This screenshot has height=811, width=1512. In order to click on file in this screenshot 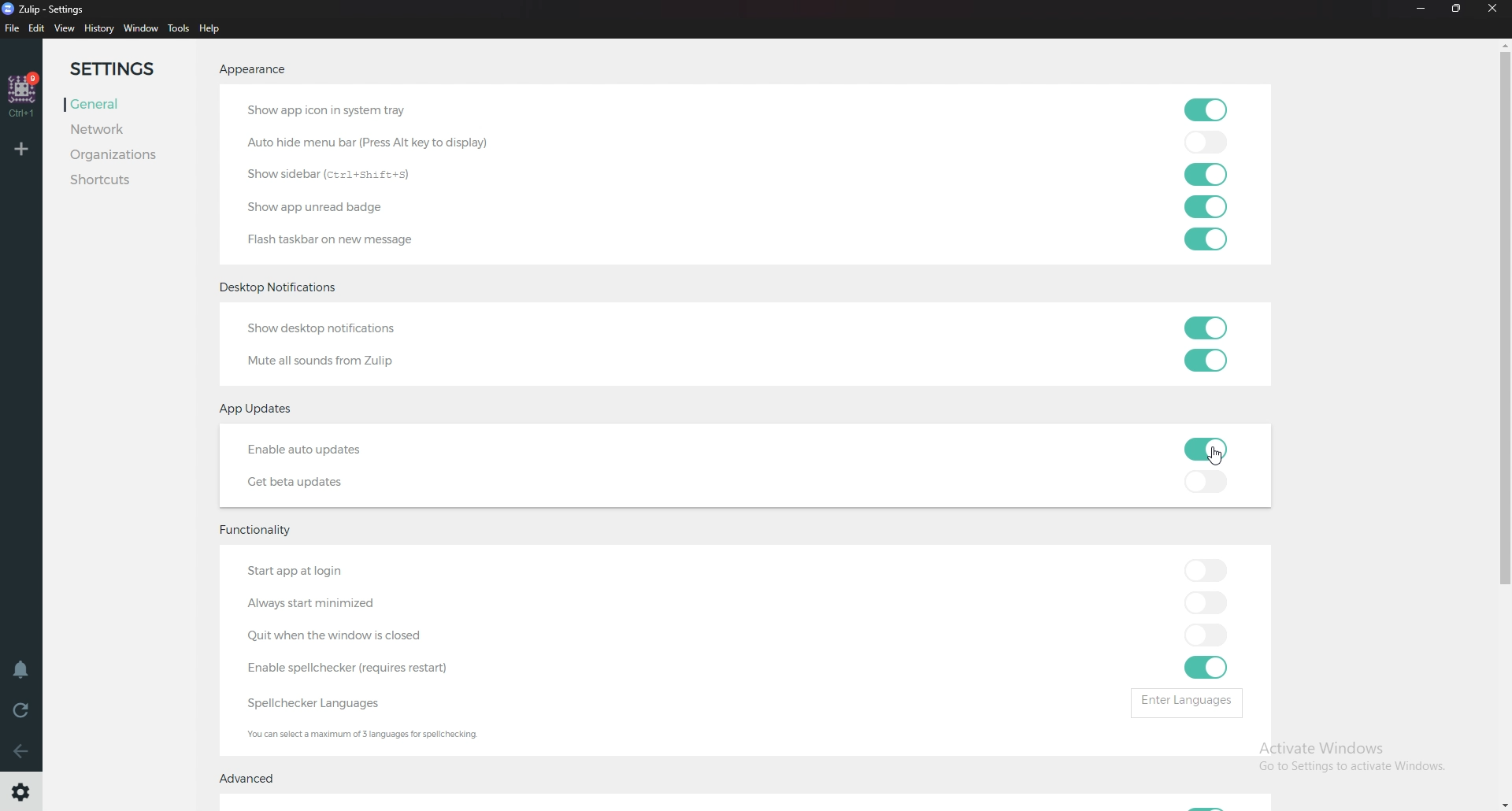, I will do `click(12, 28)`.